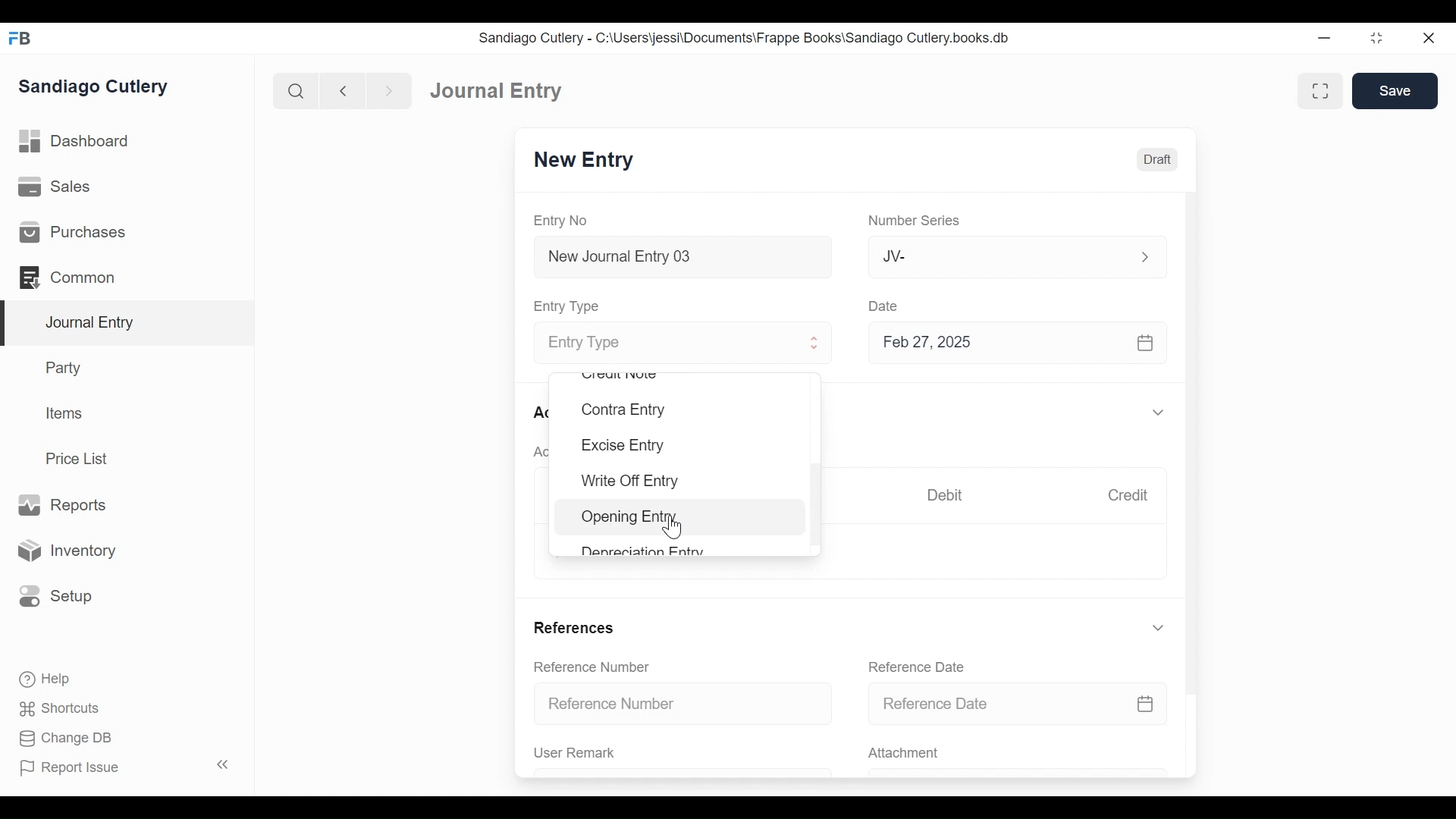 The image size is (1456, 819). What do you see at coordinates (919, 667) in the screenshot?
I see `Reference Date` at bounding box center [919, 667].